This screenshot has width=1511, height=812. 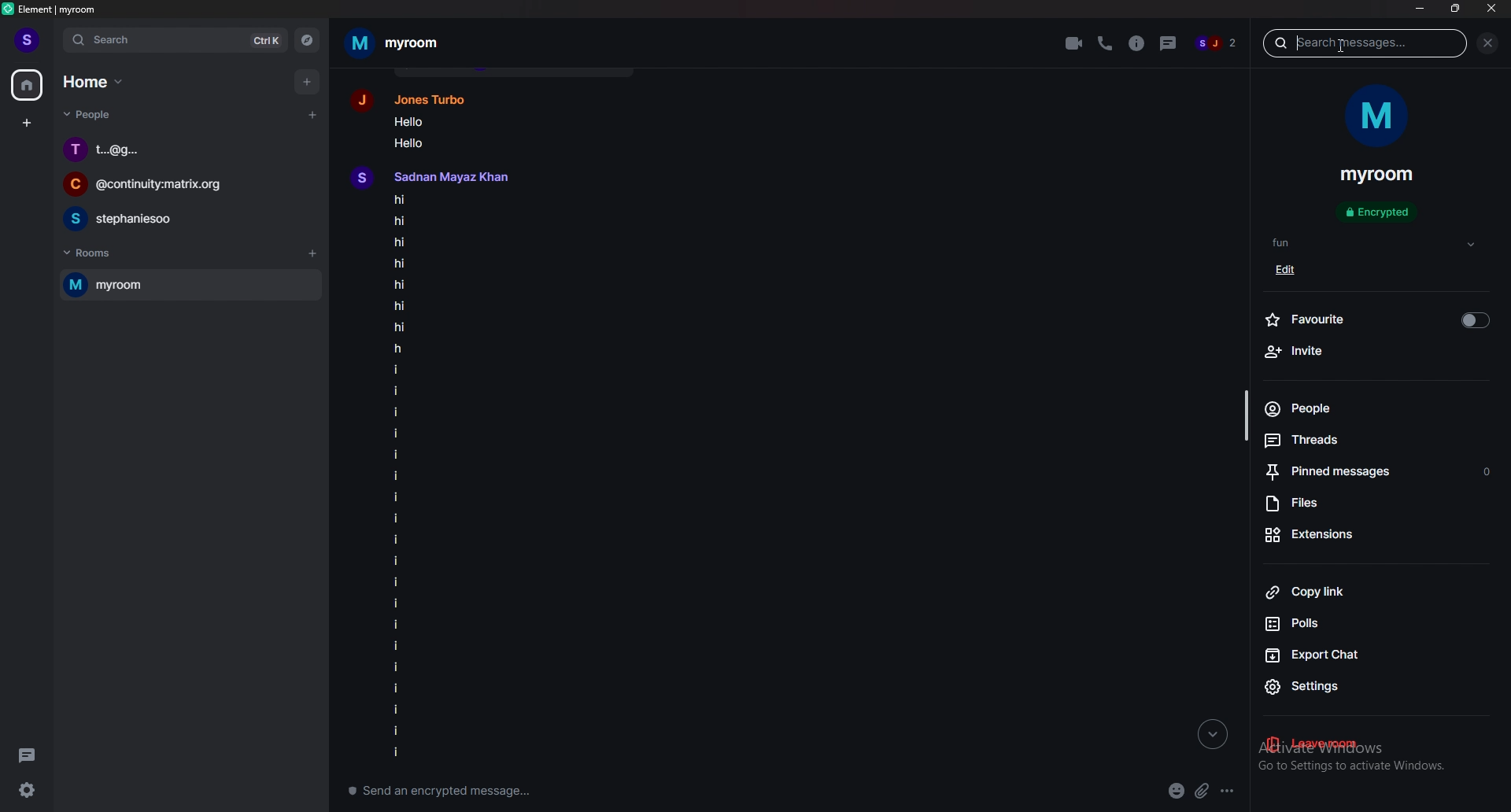 What do you see at coordinates (31, 792) in the screenshot?
I see `settings` at bounding box center [31, 792].